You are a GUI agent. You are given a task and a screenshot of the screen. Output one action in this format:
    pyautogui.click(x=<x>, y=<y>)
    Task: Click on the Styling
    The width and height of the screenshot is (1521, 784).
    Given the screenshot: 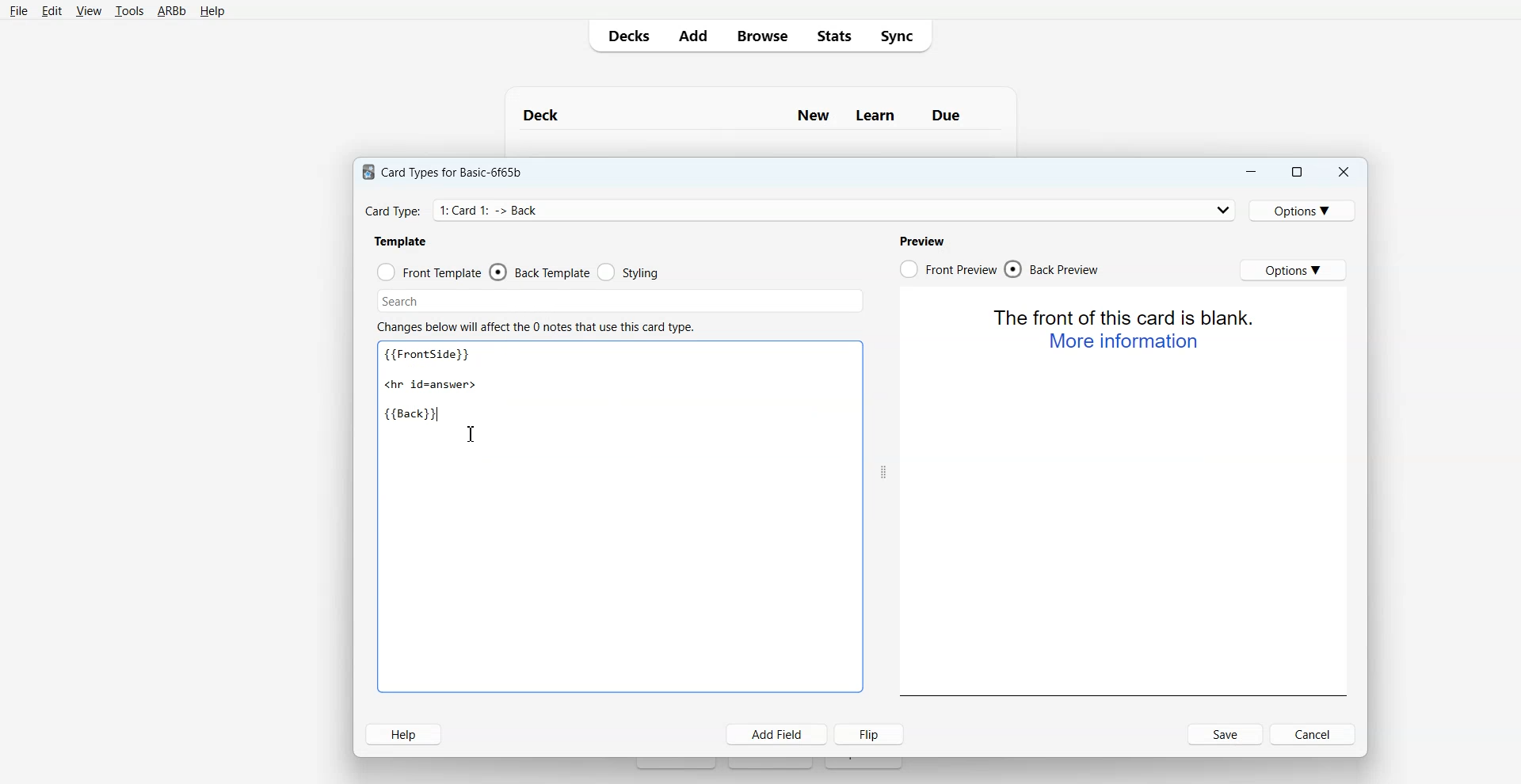 What is the action you would take?
    pyautogui.click(x=628, y=272)
    